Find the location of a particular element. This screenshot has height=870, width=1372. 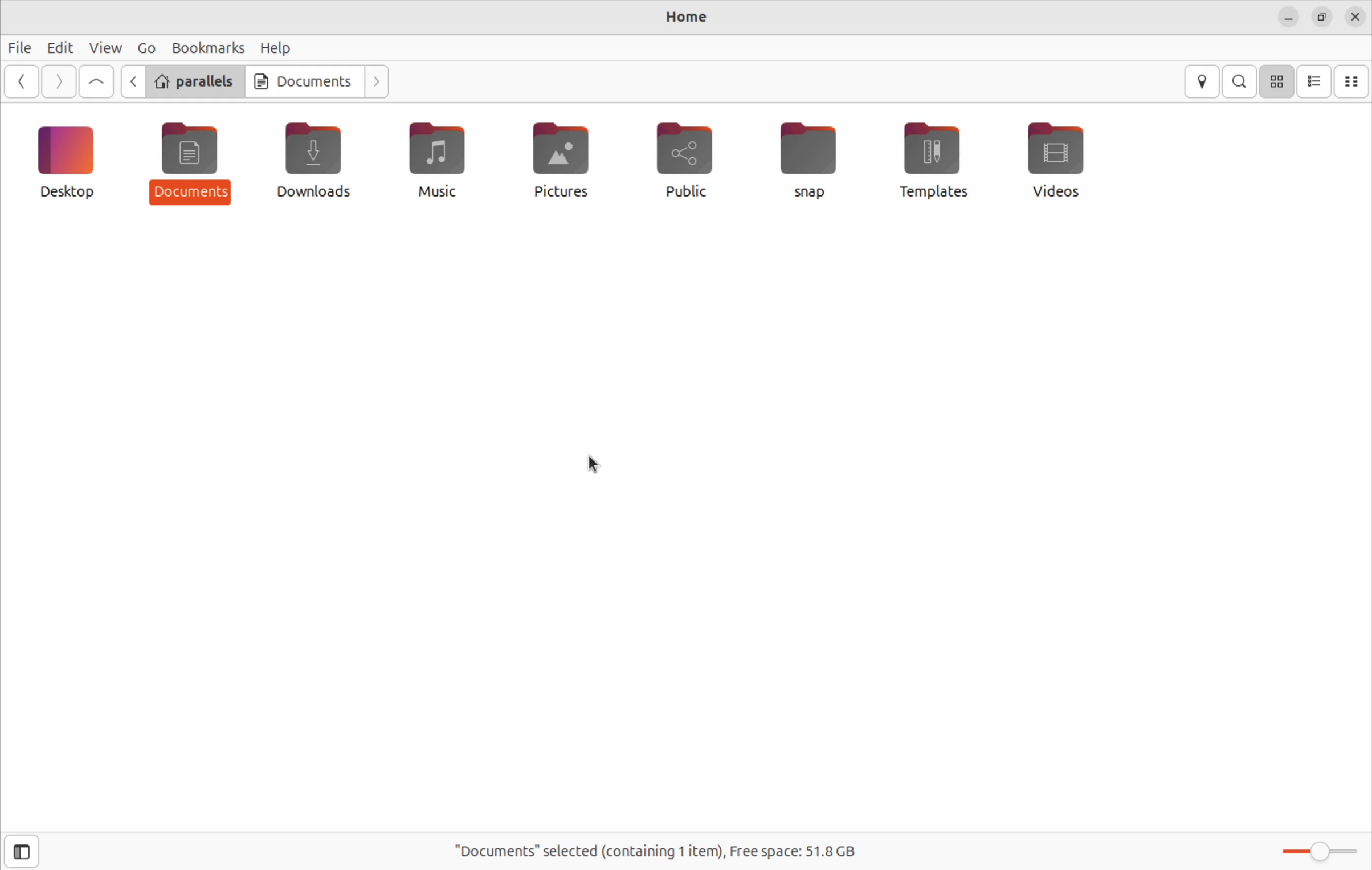

list view is located at coordinates (1316, 80).